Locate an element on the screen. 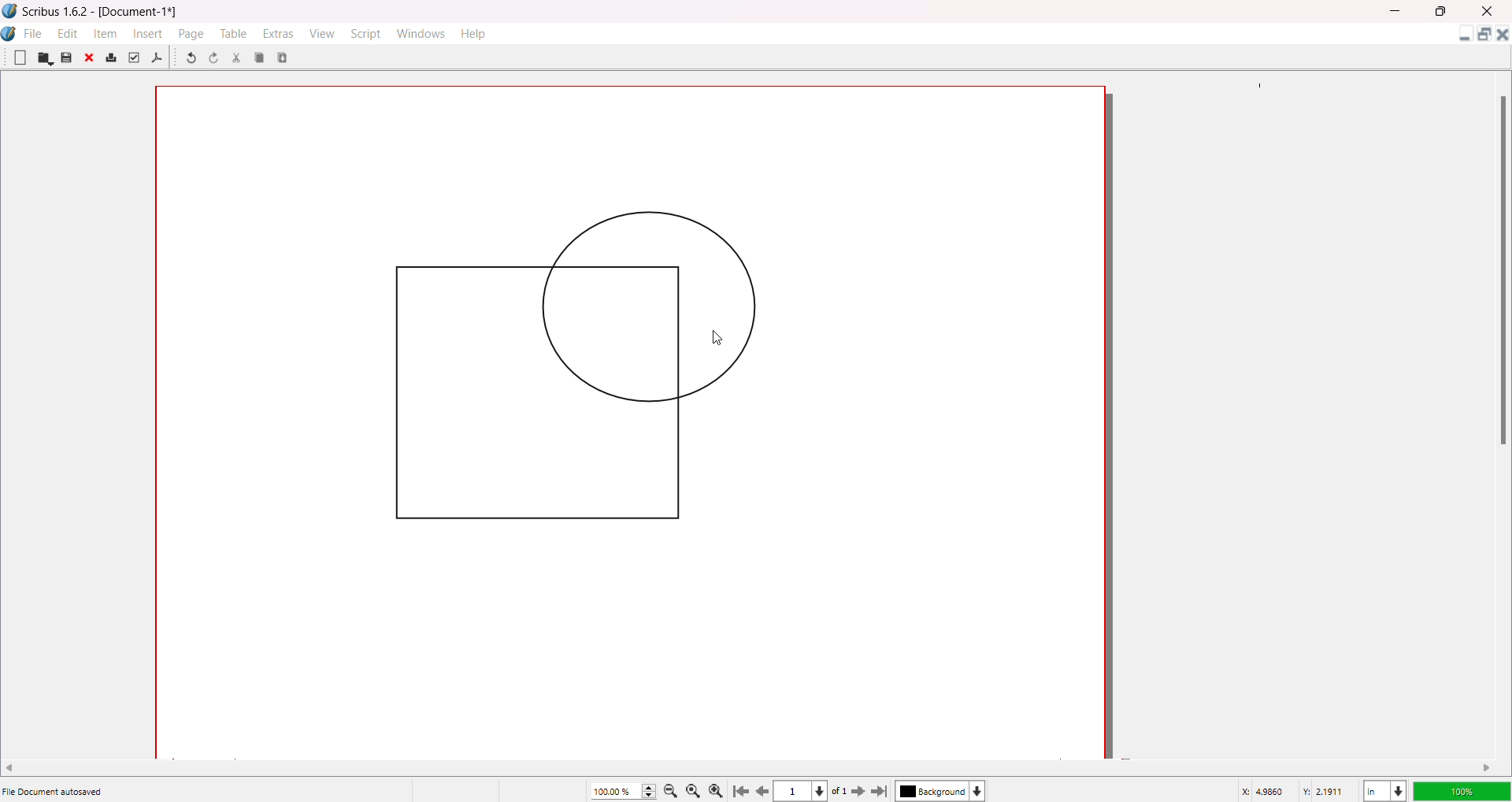  Minimize Document is located at coordinates (1461, 37).